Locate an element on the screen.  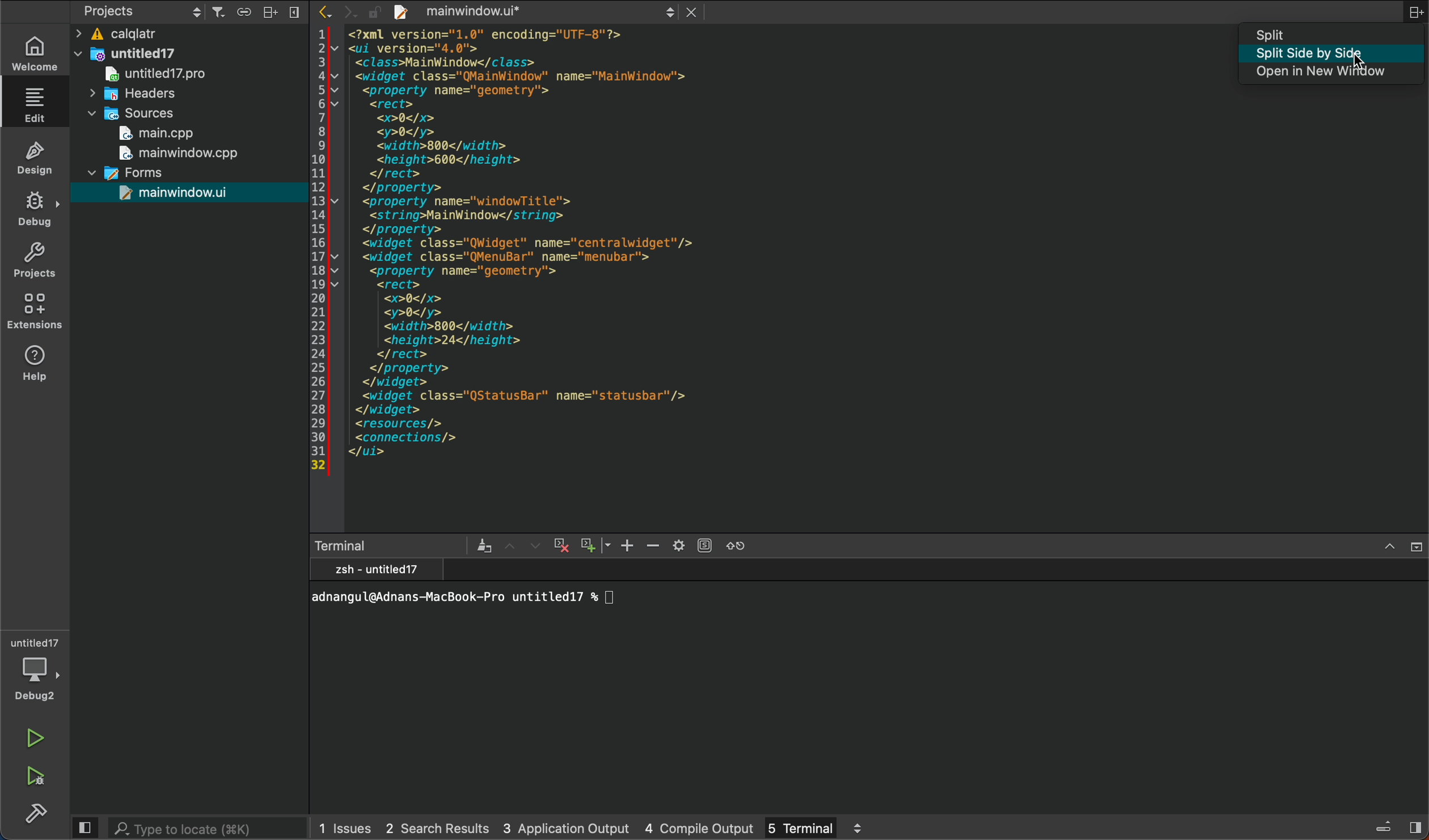
show right sidebar is located at coordinates (1415, 826).